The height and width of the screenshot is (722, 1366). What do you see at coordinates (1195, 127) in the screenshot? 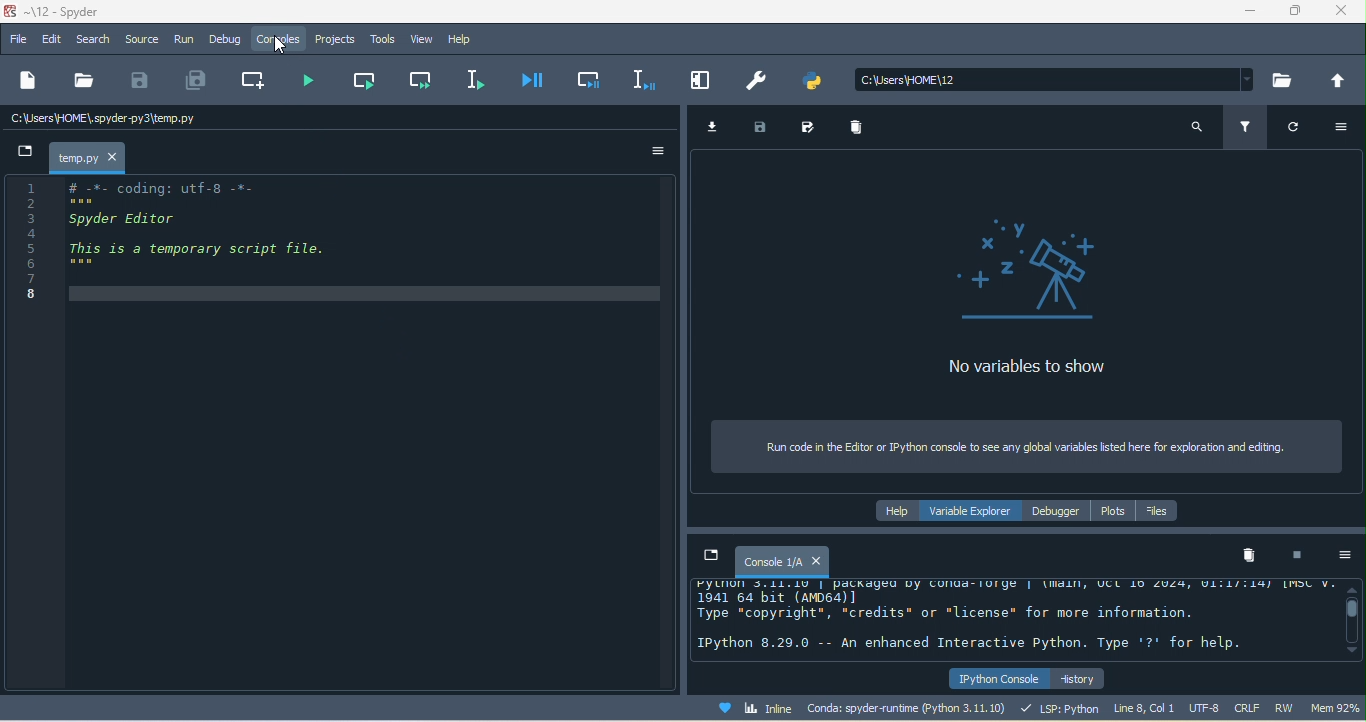
I see `search` at bounding box center [1195, 127].